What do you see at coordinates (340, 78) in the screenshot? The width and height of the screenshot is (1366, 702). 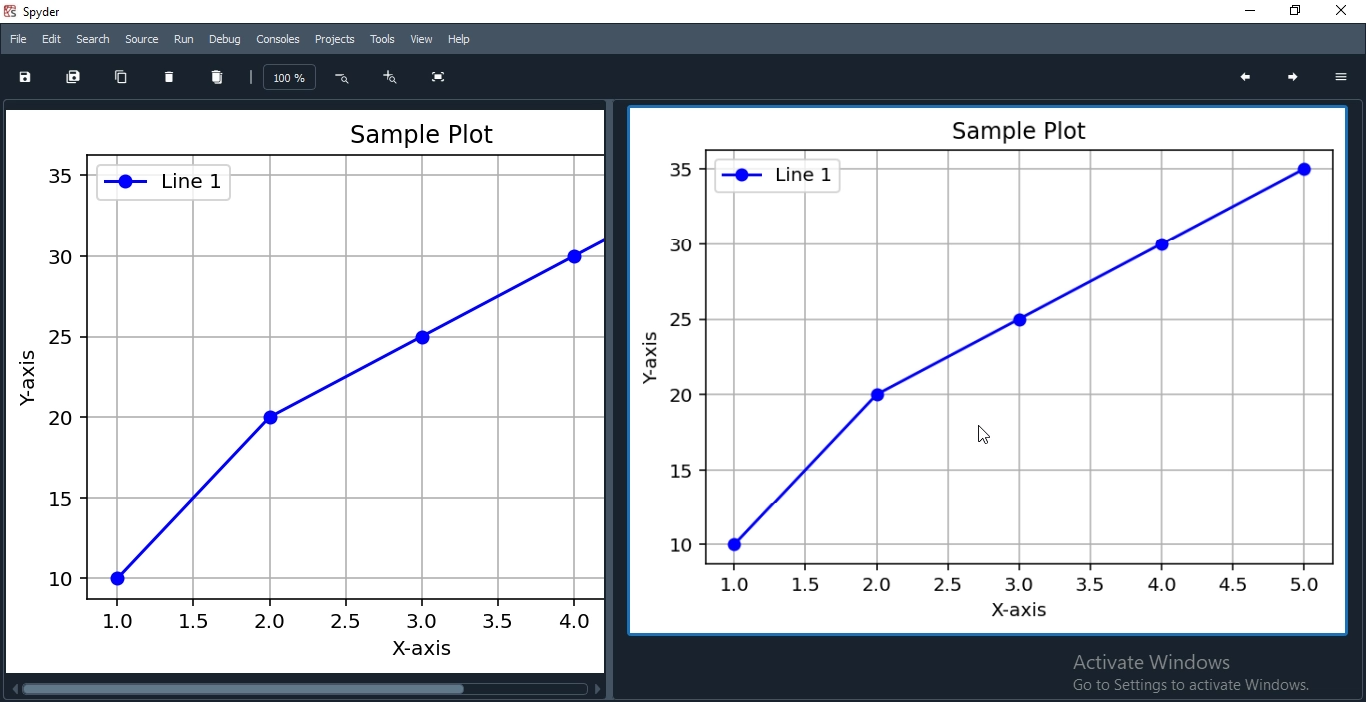 I see `` at bounding box center [340, 78].